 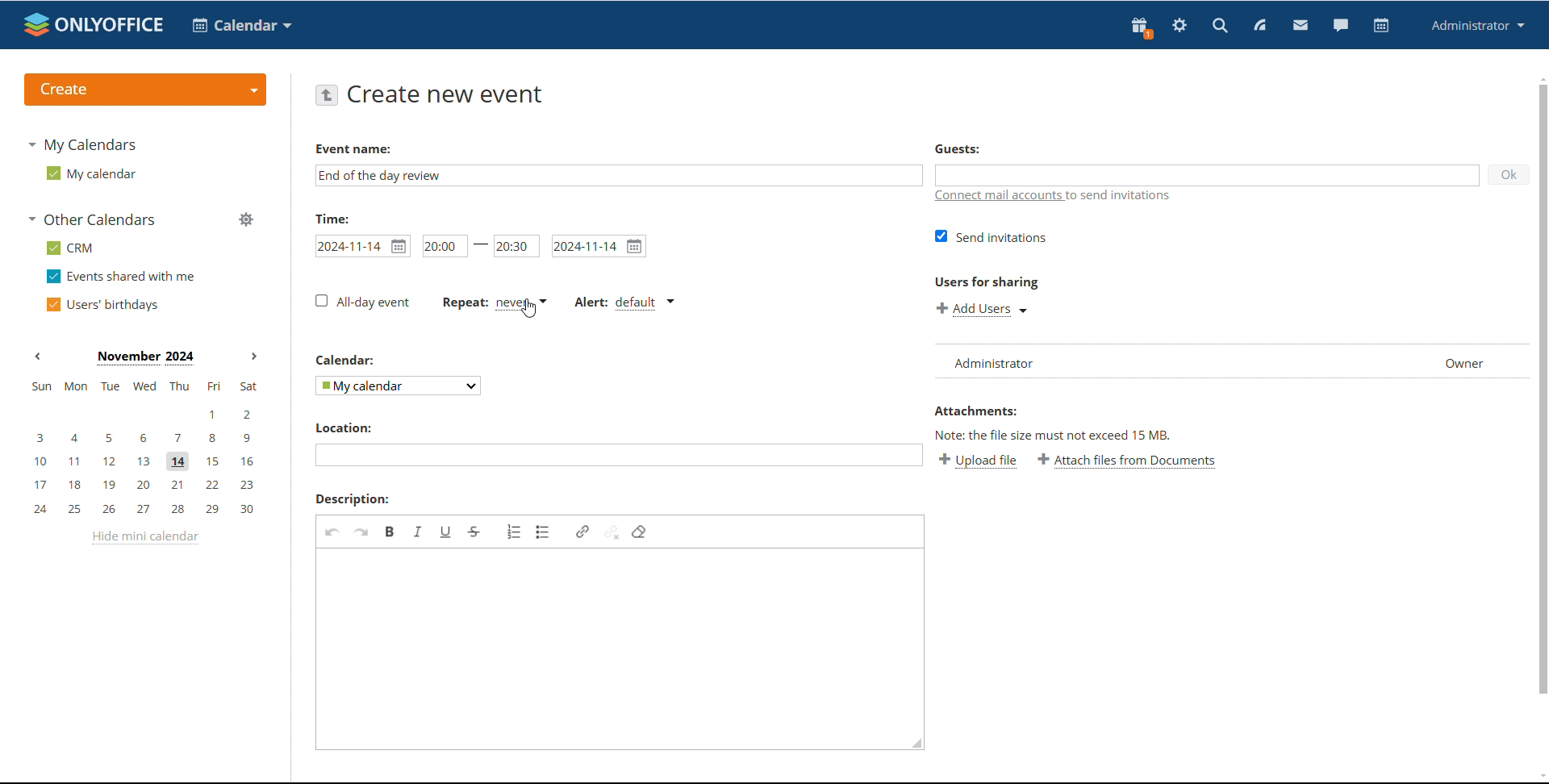 I want to click on Note: the file size must not exceed 15 mb, so click(x=1054, y=435).